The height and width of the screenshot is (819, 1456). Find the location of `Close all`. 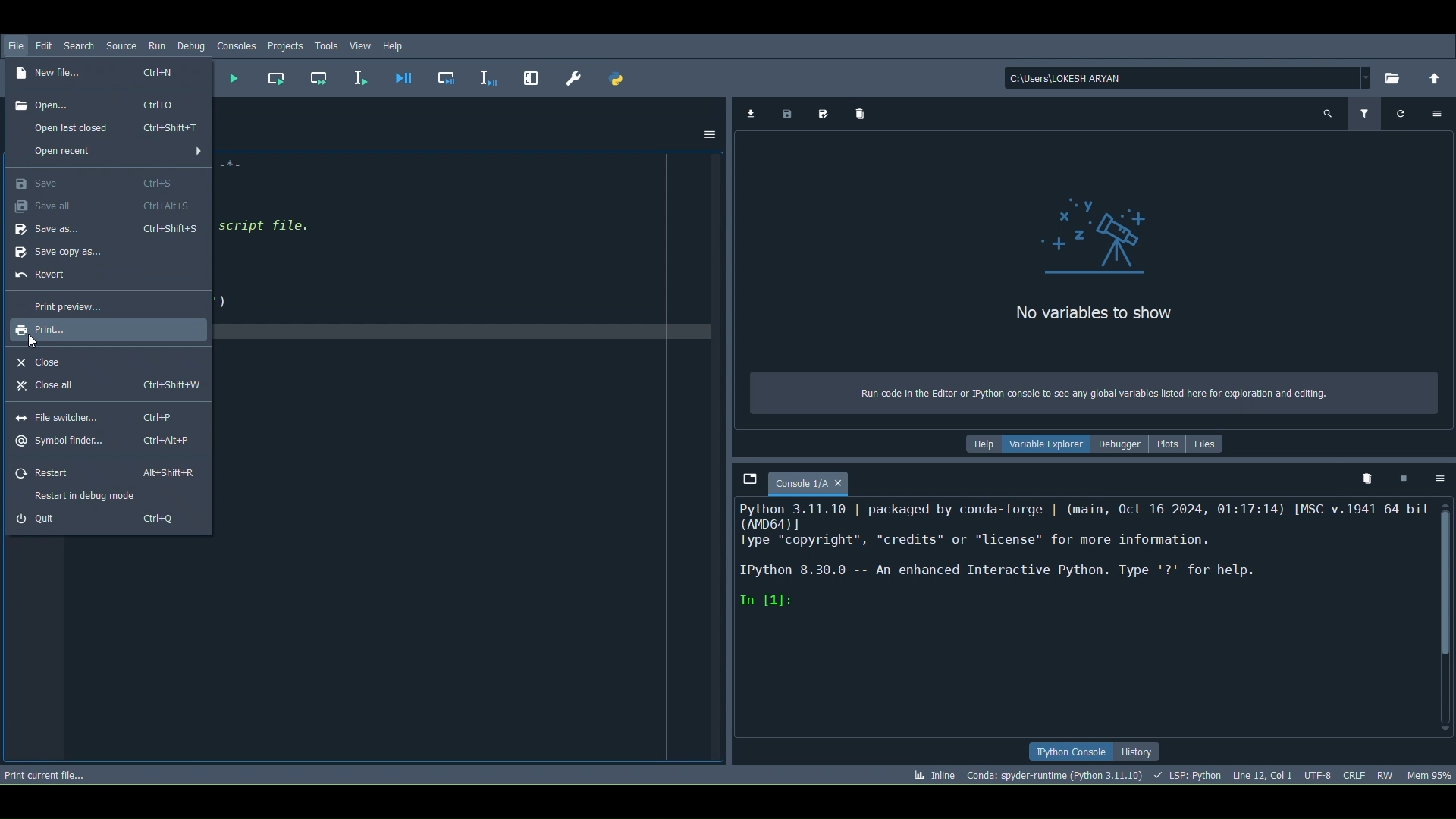

Close all is located at coordinates (112, 388).